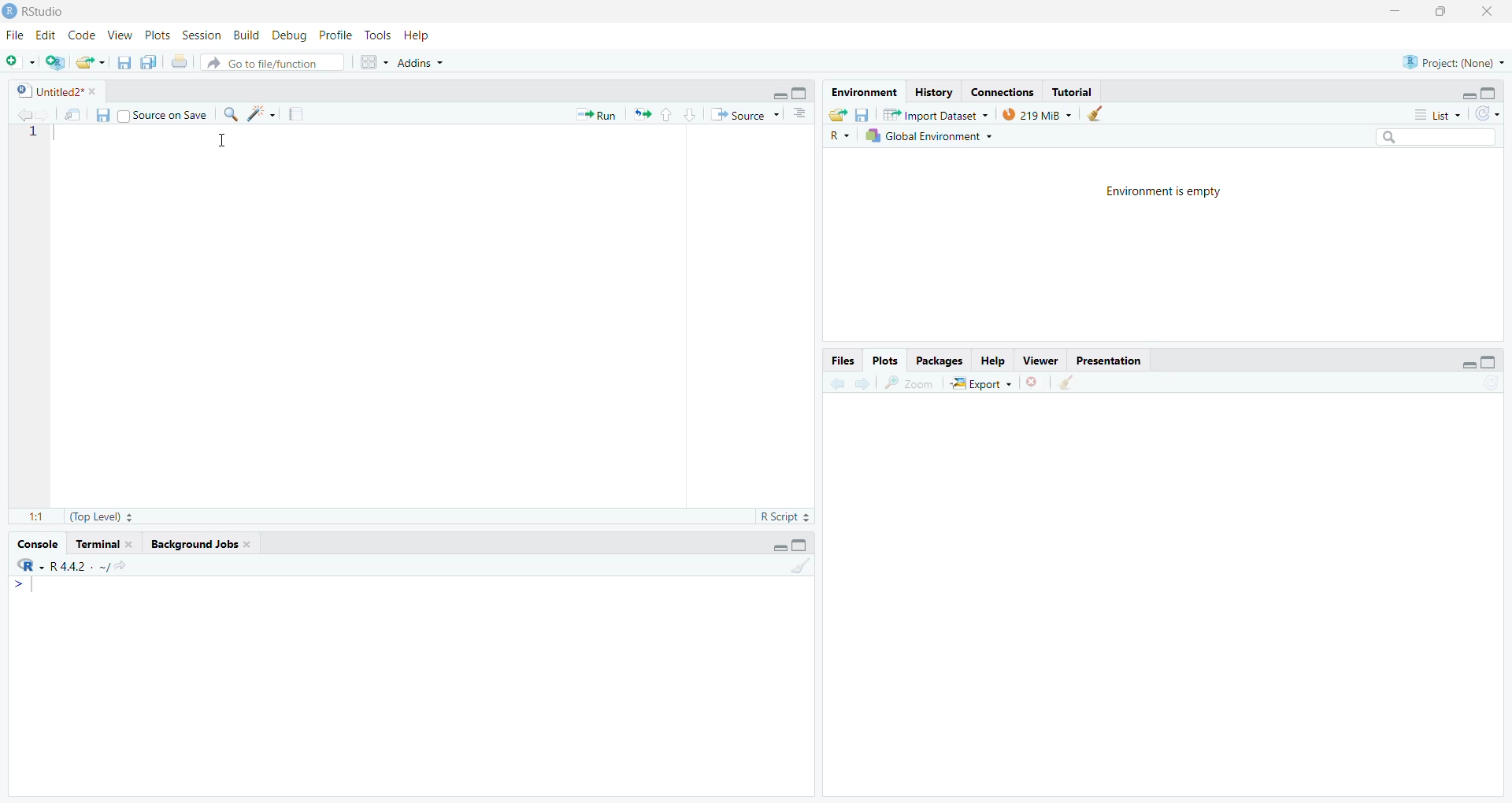 This screenshot has height=803, width=1512. What do you see at coordinates (665, 114) in the screenshot?
I see `Go to previous section` at bounding box center [665, 114].